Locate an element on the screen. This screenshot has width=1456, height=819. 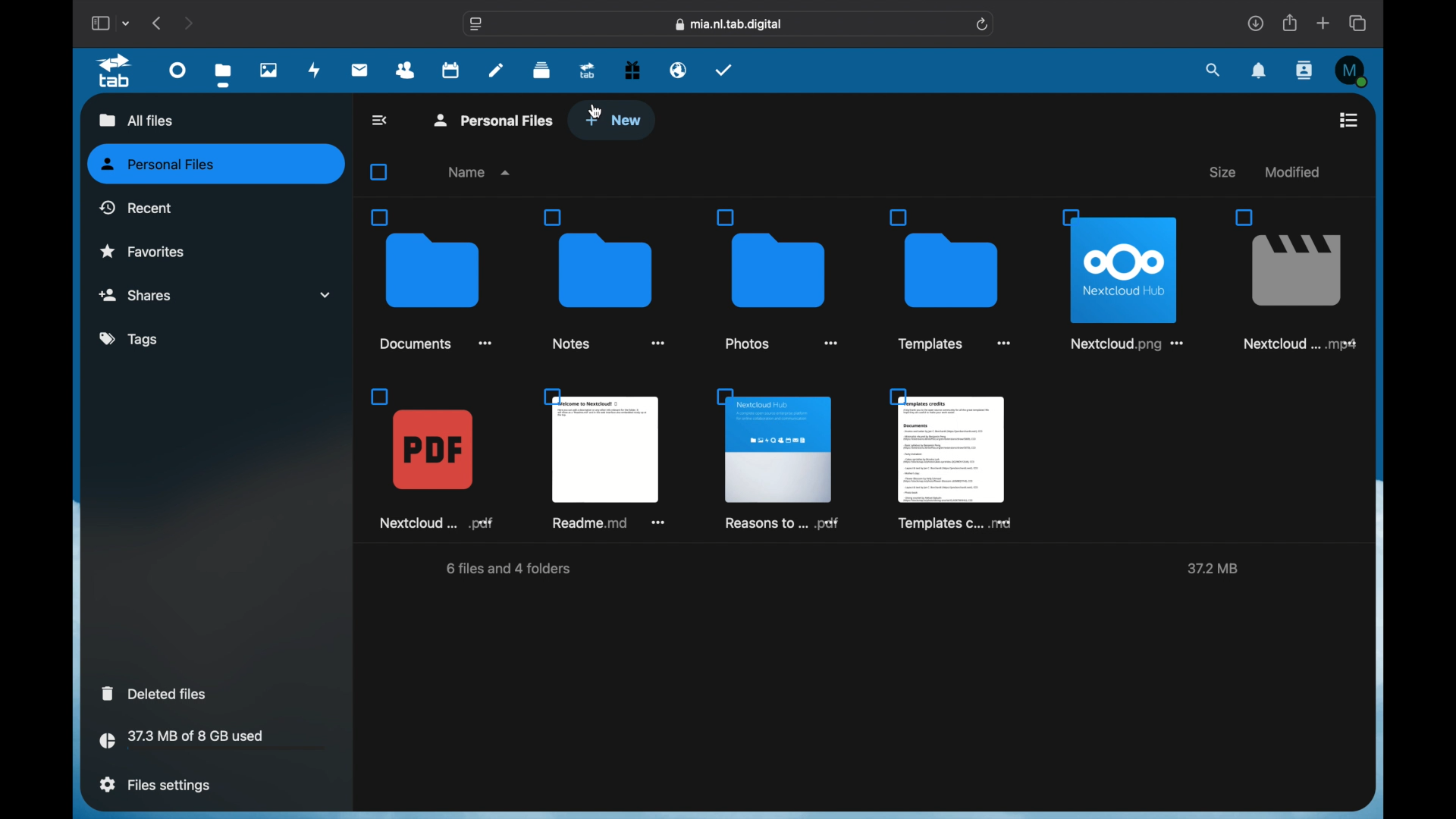
deck is located at coordinates (541, 71).